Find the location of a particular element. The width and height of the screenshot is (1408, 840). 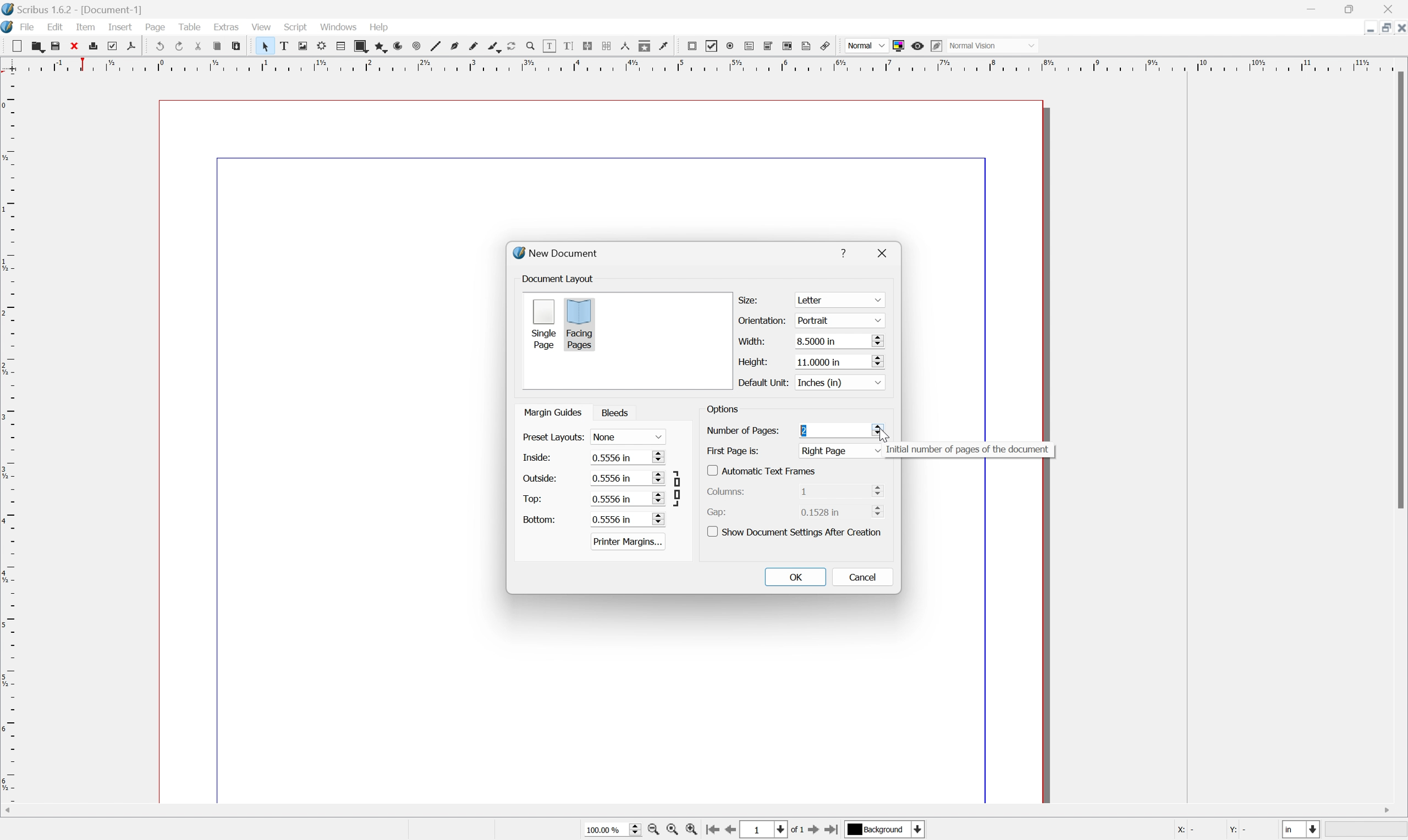

100.00% is located at coordinates (608, 829).